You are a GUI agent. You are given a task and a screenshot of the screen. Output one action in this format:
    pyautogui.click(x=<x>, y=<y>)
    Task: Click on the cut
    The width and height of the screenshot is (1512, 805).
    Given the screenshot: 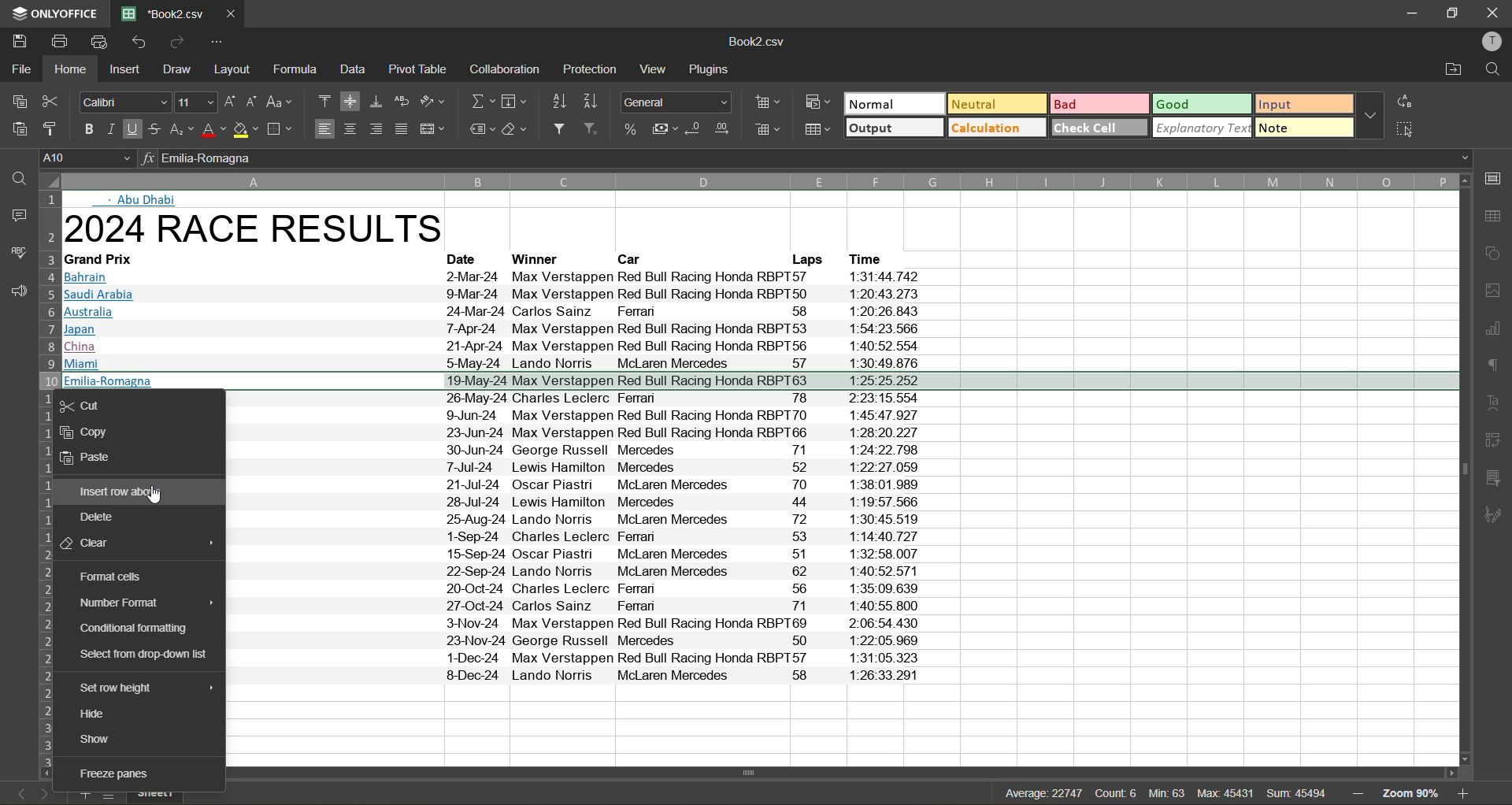 What is the action you would take?
    pyautogui.click(x=91, y=403)
    